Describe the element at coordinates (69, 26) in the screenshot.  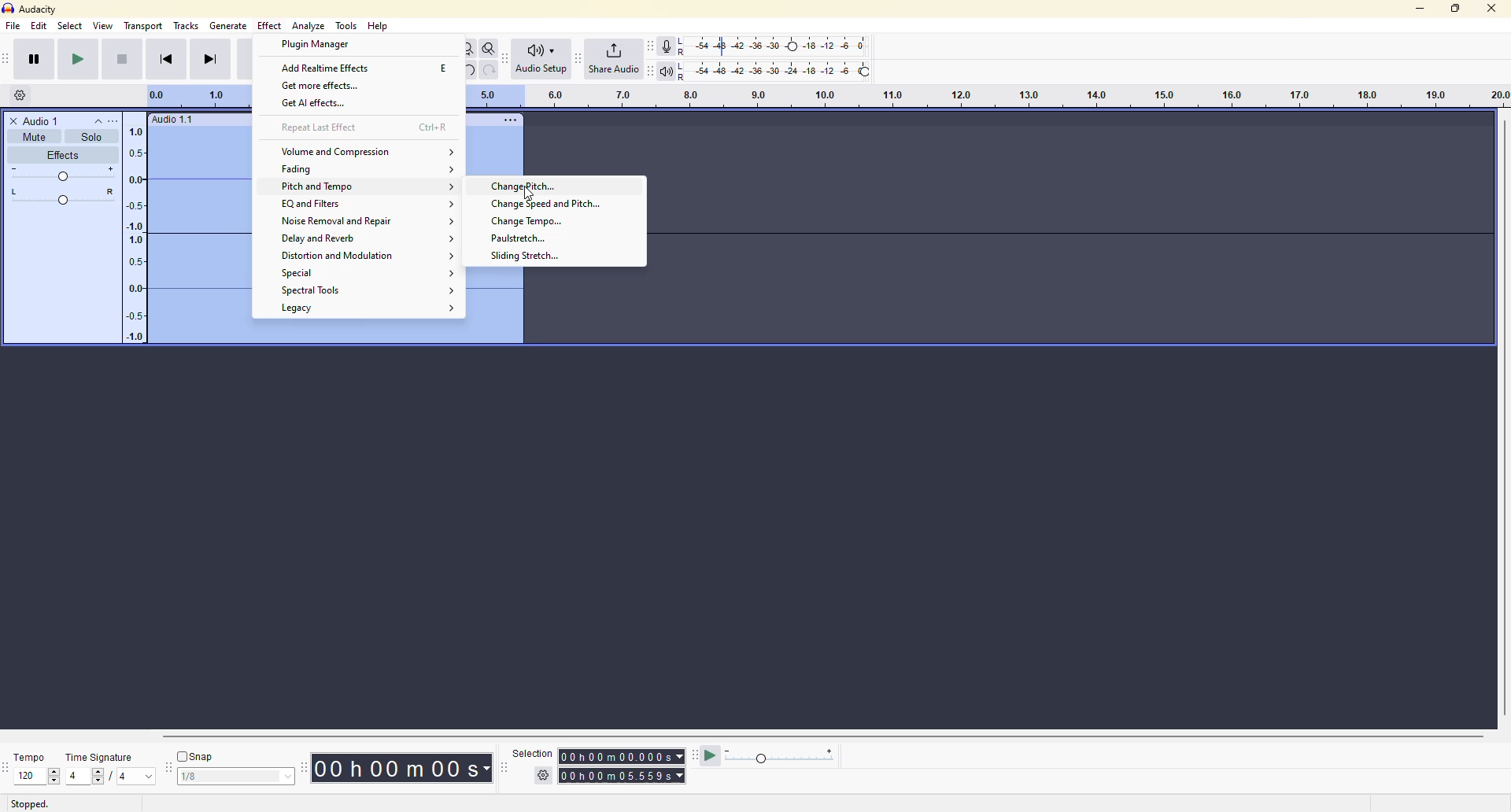
I see `select` at that location.